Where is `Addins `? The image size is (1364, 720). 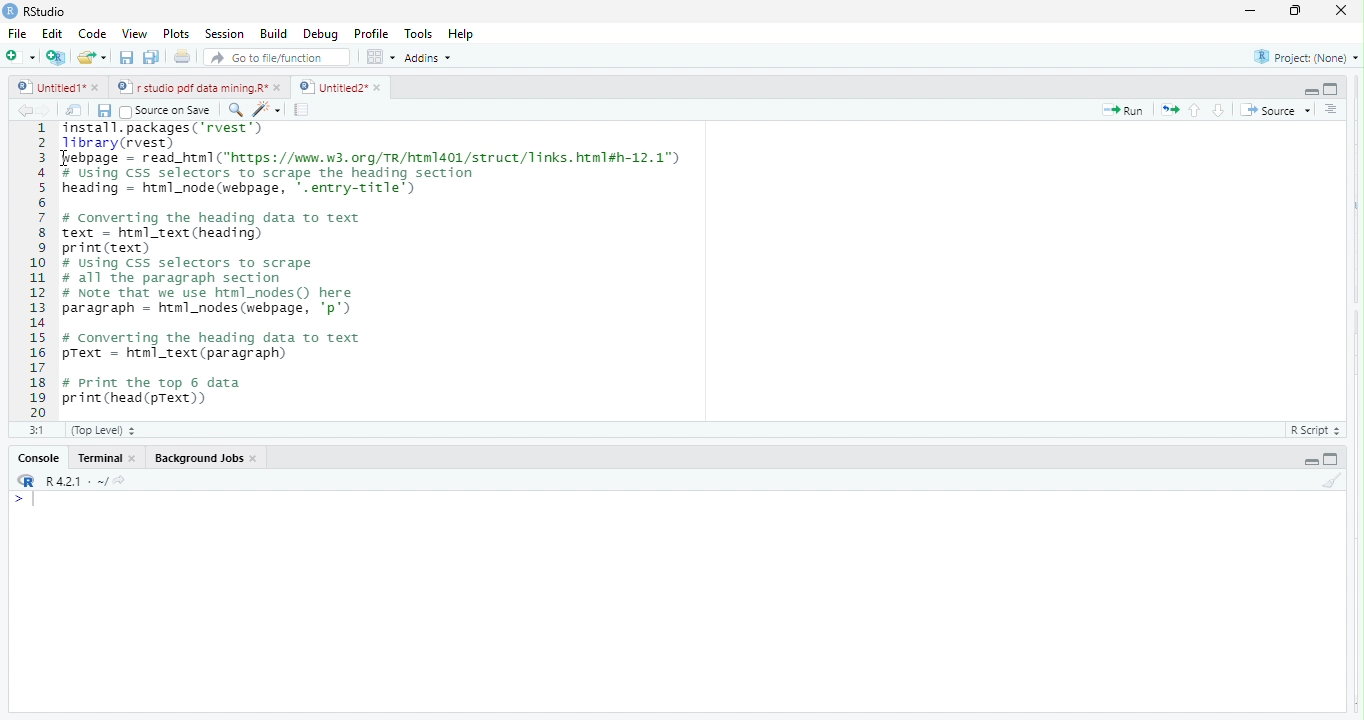 Addins  is located at coordinates (432, 57).